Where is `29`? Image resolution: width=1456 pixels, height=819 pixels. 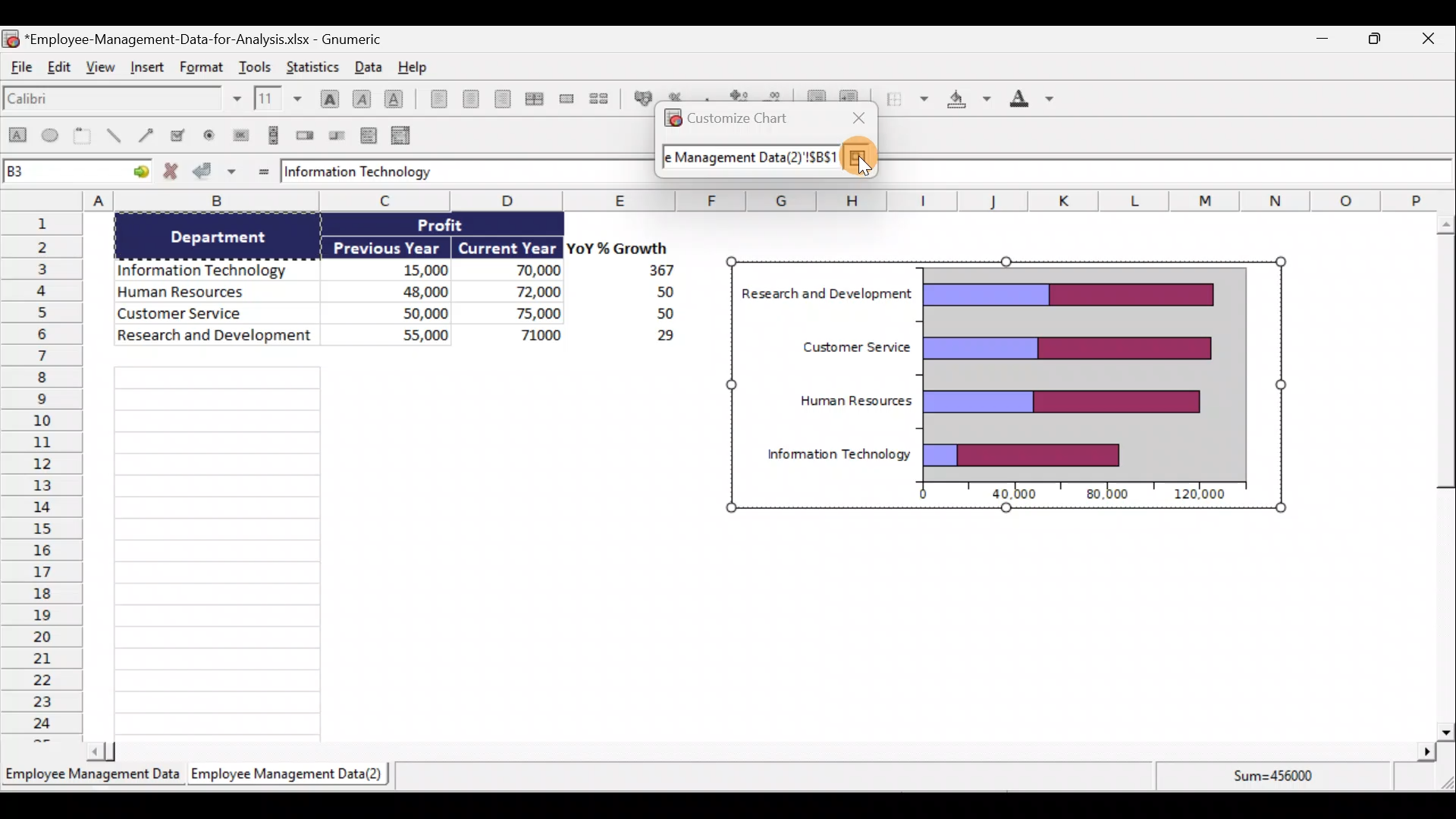
29 is located at coordinates (657, 338).